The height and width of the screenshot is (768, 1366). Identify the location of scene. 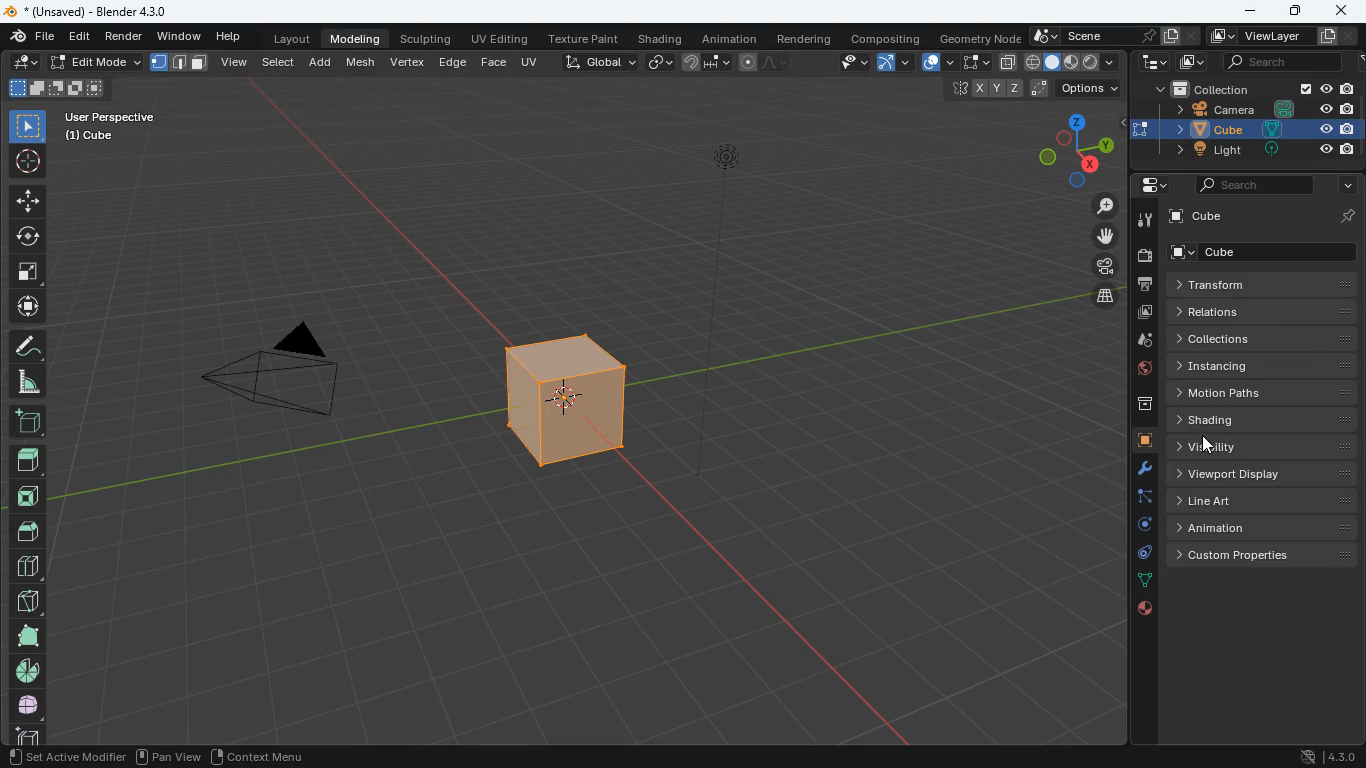
(1110, 35).